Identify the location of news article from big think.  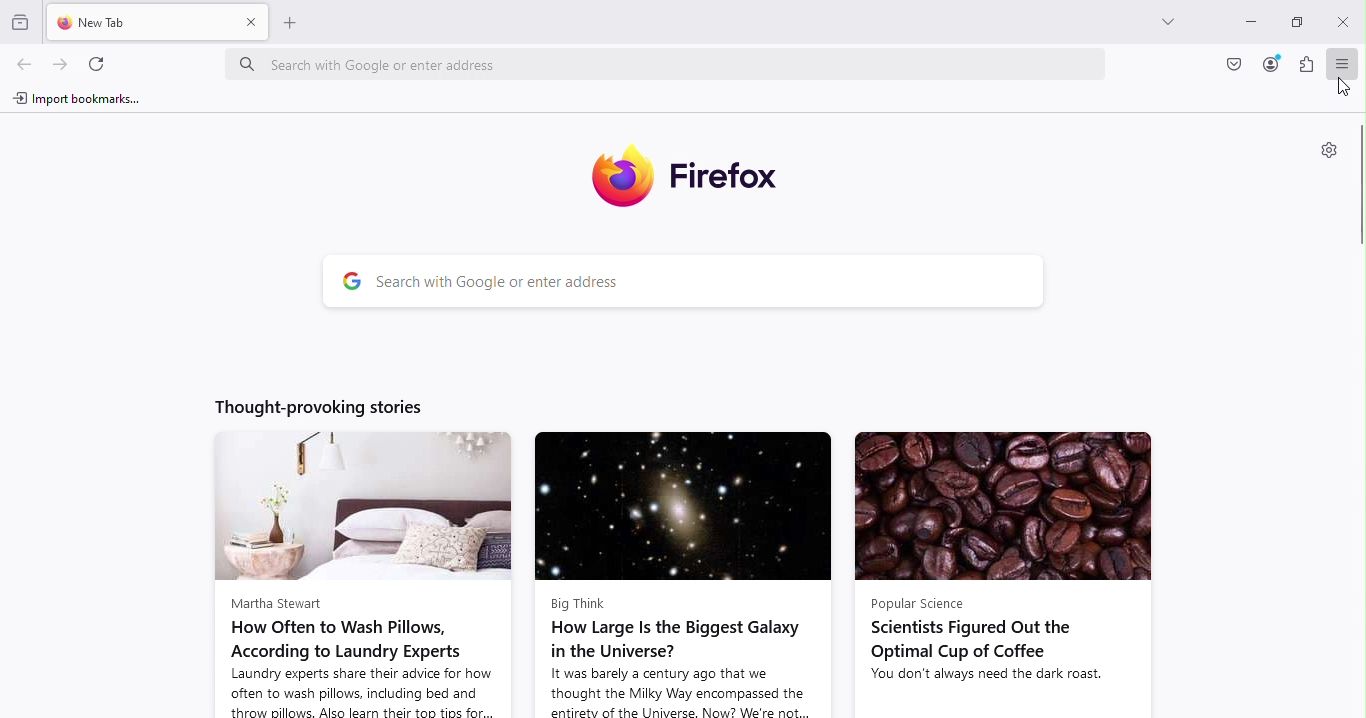
(681, 574).